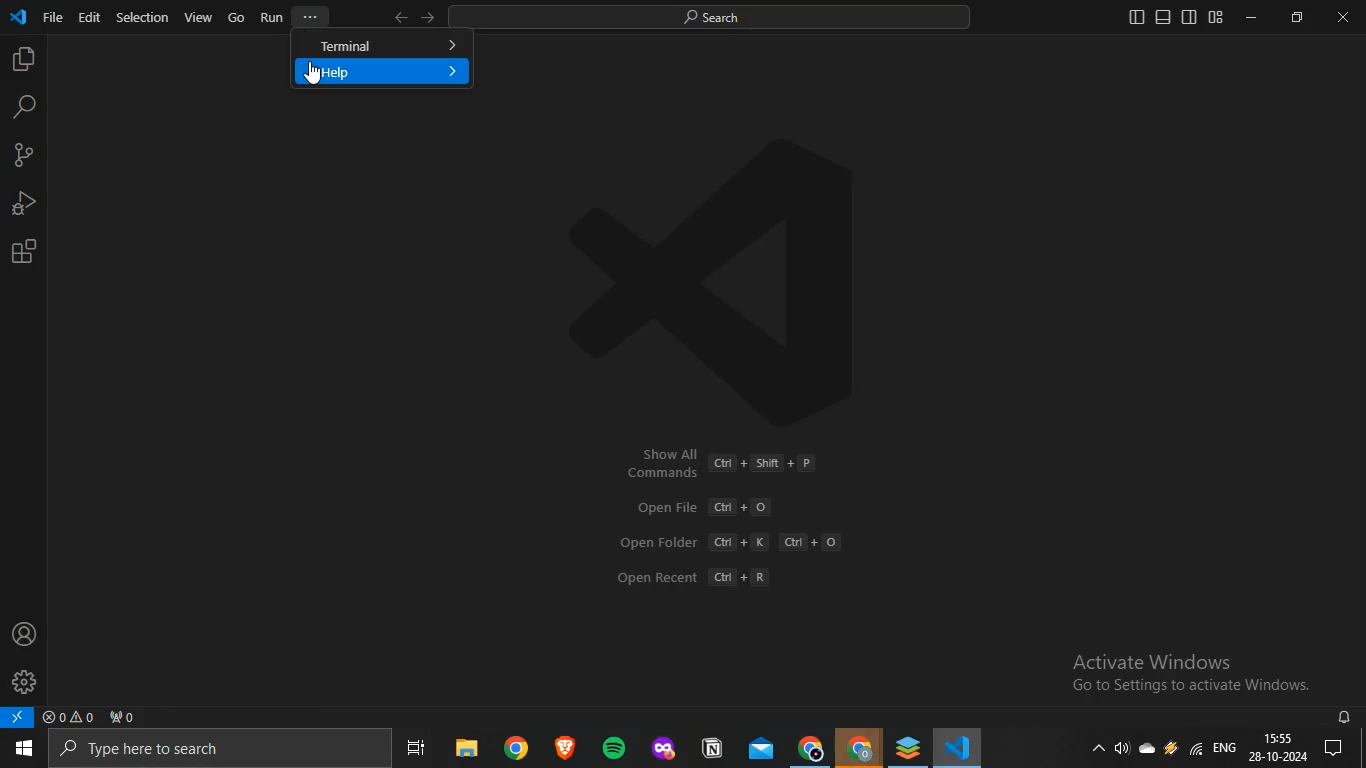 The height and width of the screenshot is (768, 1366). Describe the element at coordinates (1195, 750) in the screenshot. I see `wifi` at that location.